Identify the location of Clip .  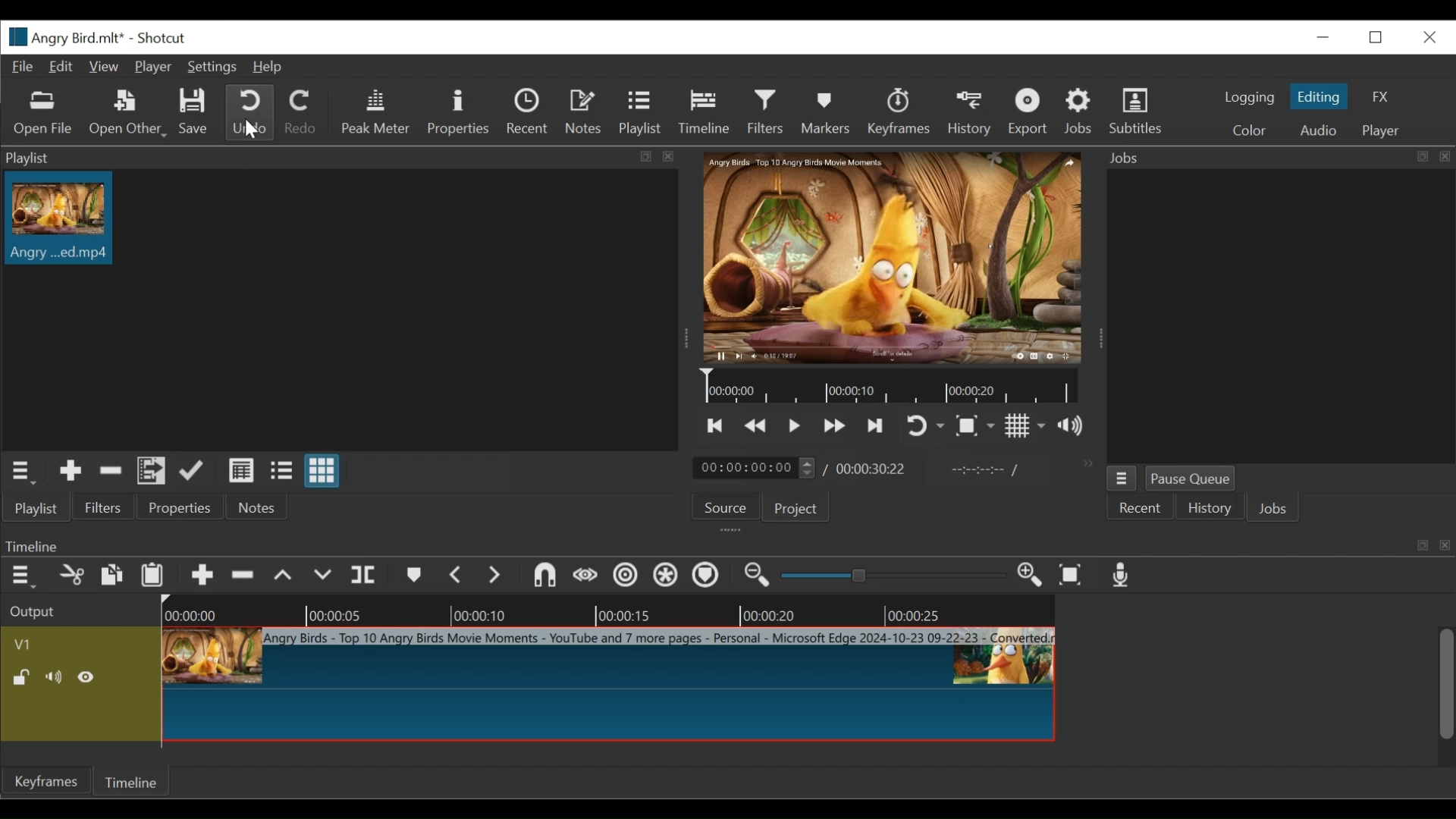
(58, 223).